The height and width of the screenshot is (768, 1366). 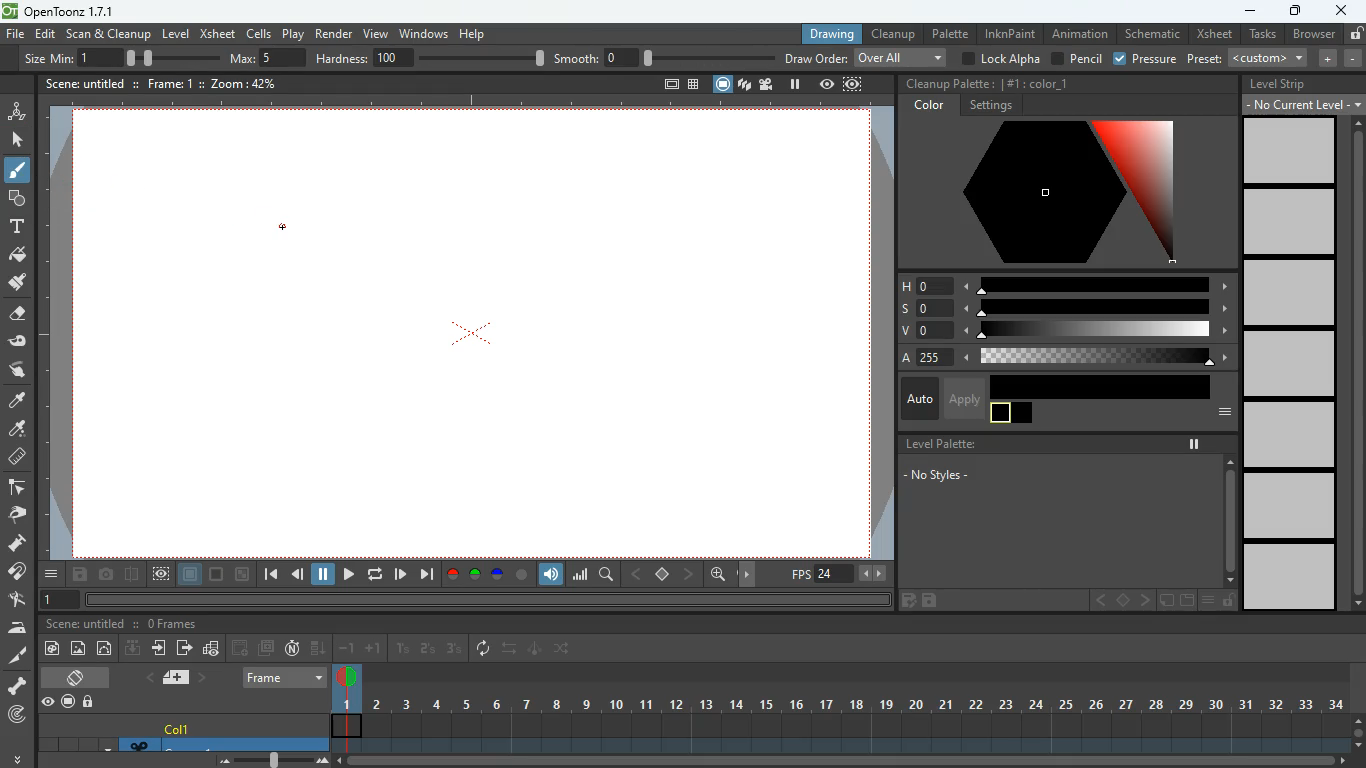 I want to click on pause, so click(x=324, y=575).